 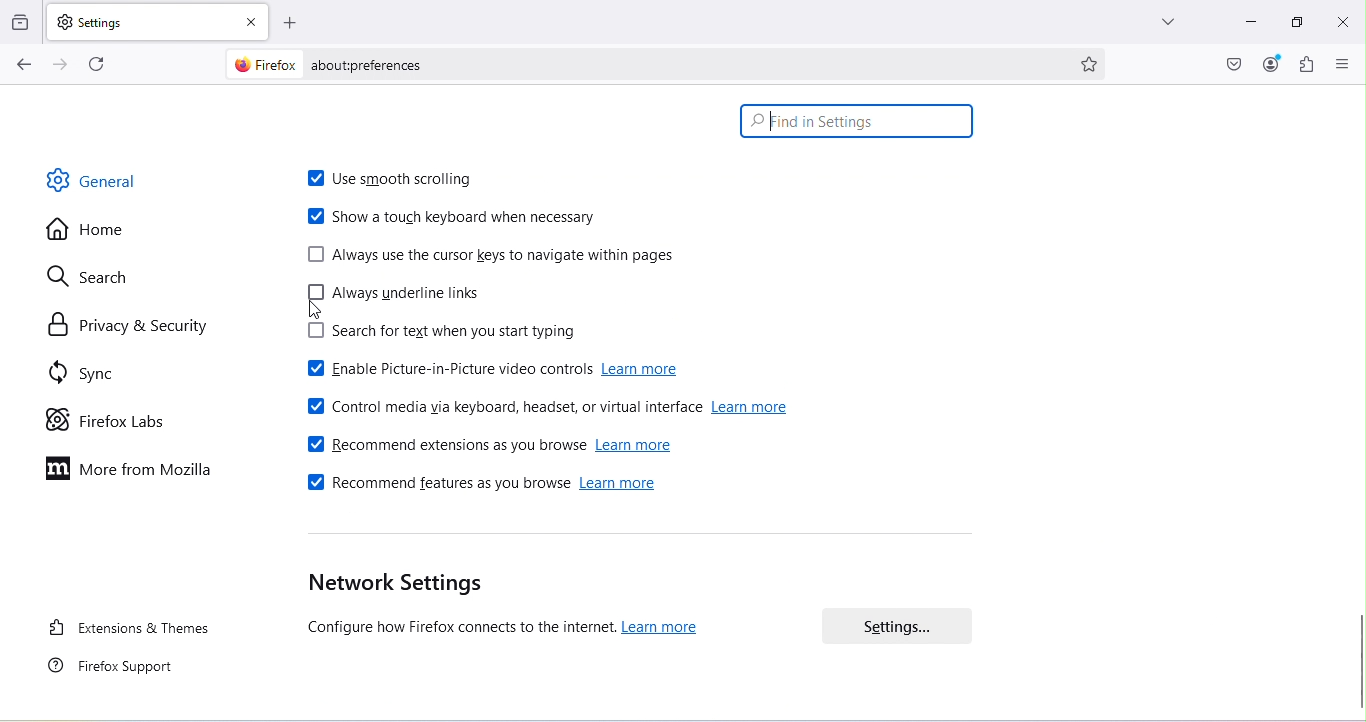 What do you see at coordinates (500, 410) in the screenshot?
I see `Control media via keyboard, headset or virtual interface` at bounding box center [500, 410].